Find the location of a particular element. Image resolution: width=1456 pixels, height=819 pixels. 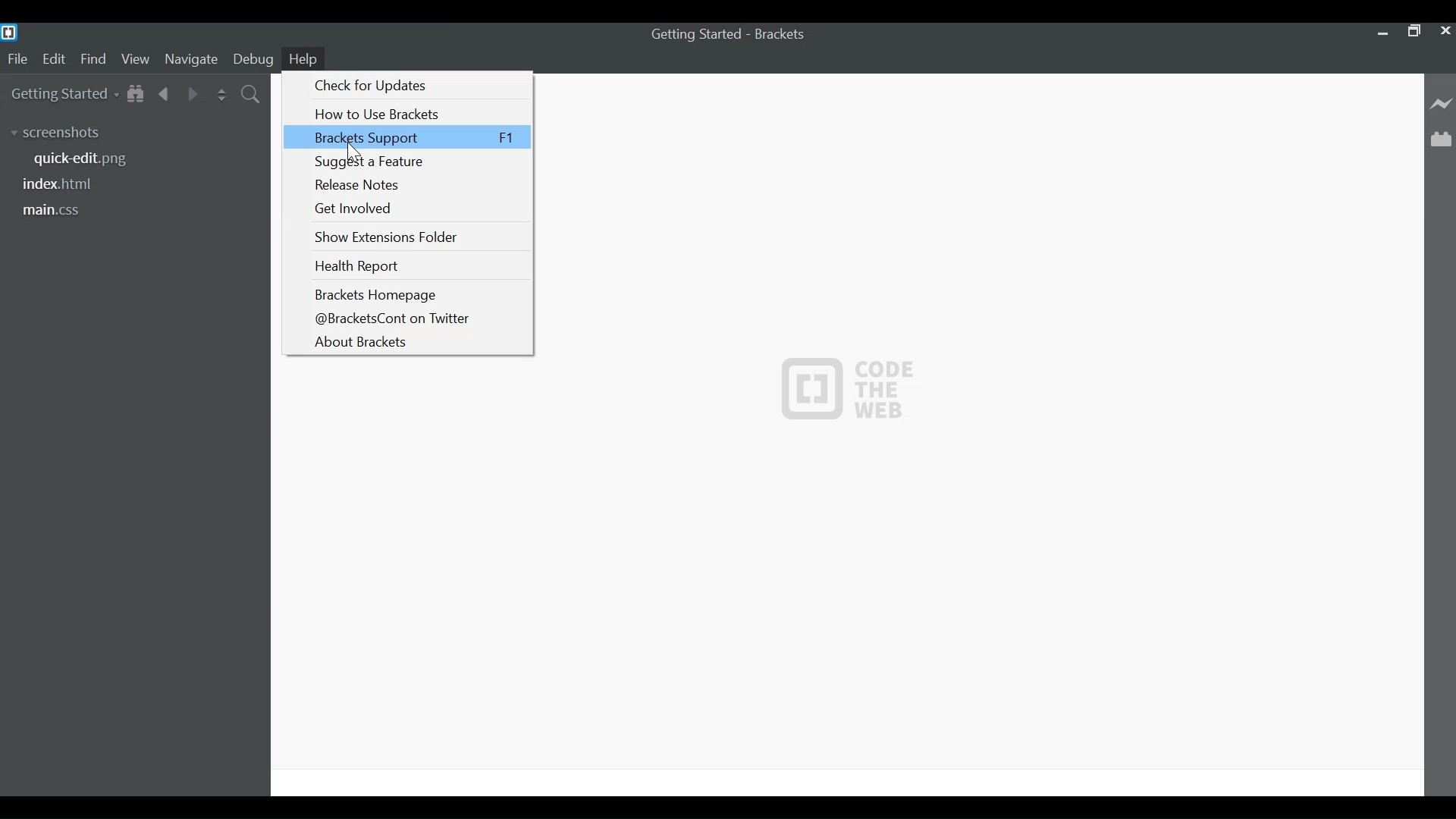

Show Extensions Folder is located at coordinates (416, 236).